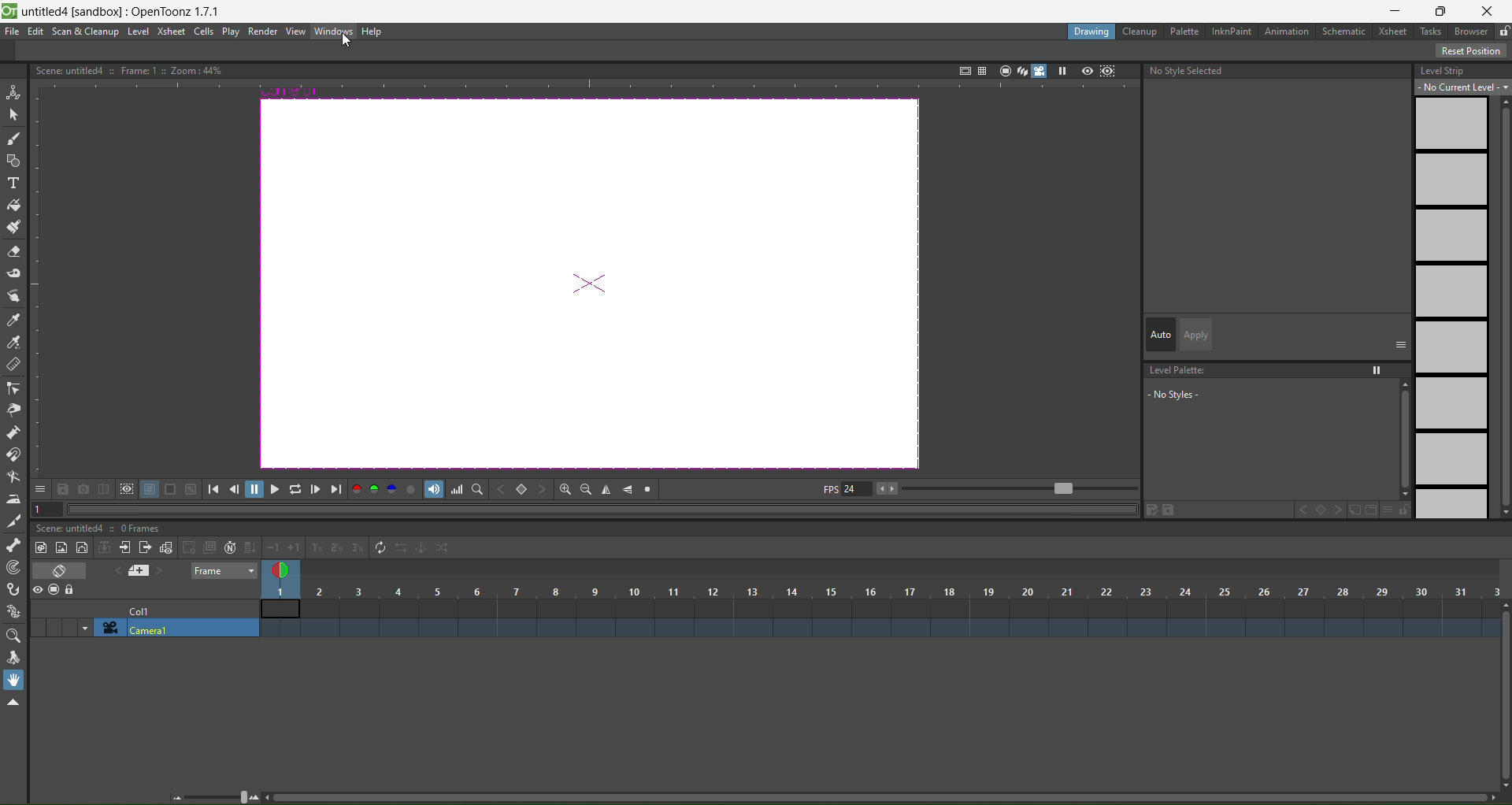 This screenshot has width=1512, height=805. Describe the element at coordinates (1195, 335) in the screenshot. I see `apply` at that location.